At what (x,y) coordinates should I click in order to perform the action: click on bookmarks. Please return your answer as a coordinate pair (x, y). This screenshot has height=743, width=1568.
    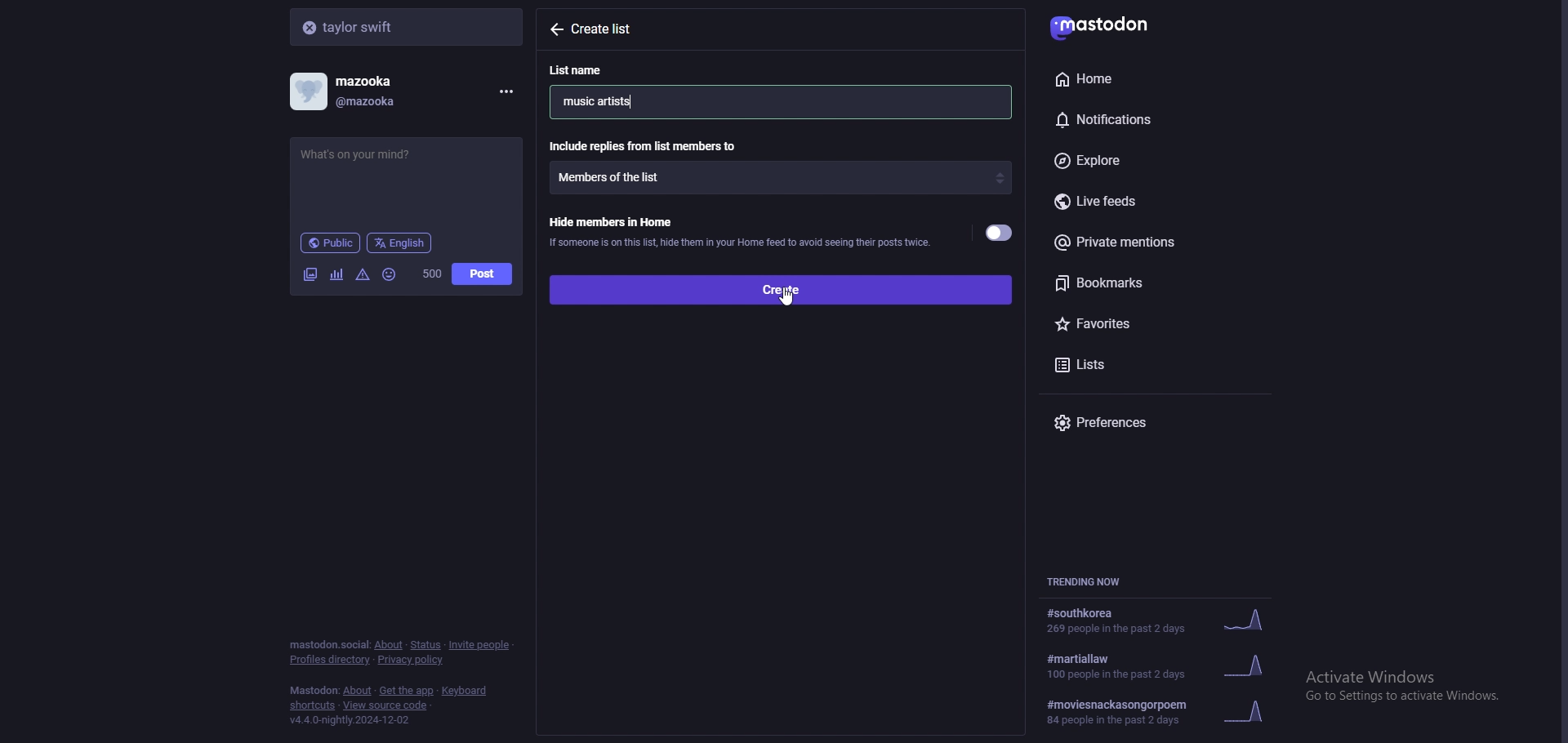
    Looking at the image, I should click on (1158, 283).